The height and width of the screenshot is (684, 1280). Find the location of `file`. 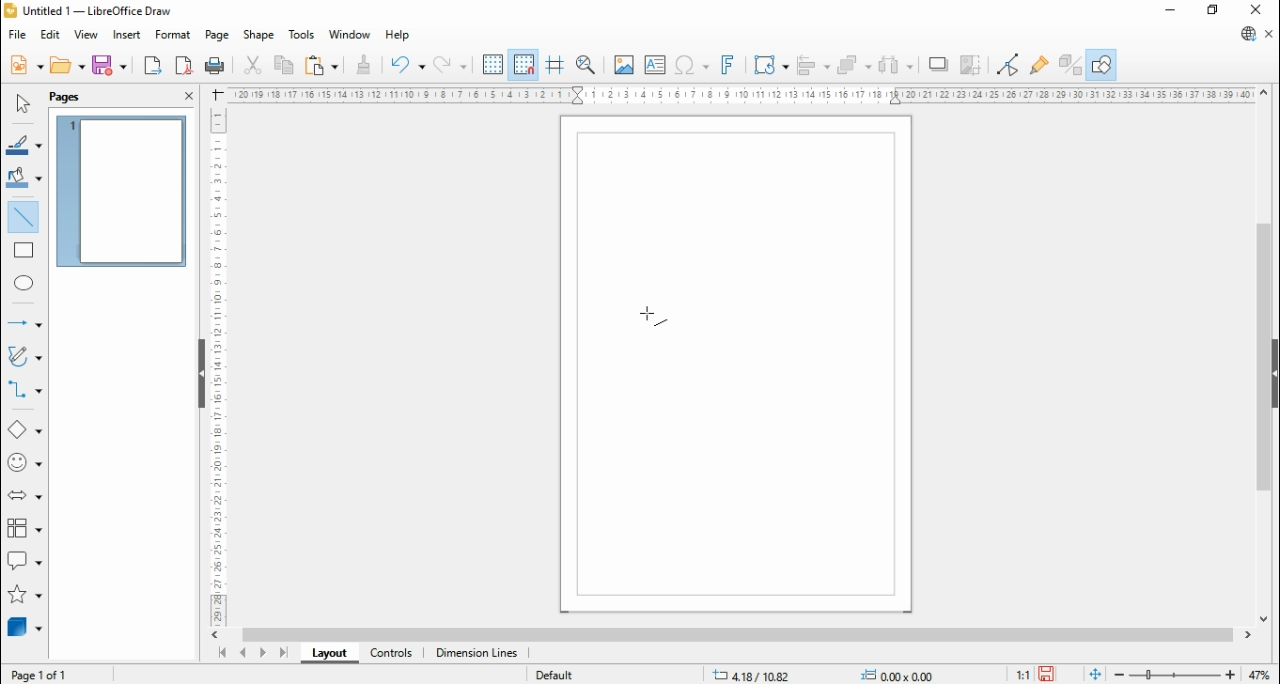

file is located at coordinates (16, 35).